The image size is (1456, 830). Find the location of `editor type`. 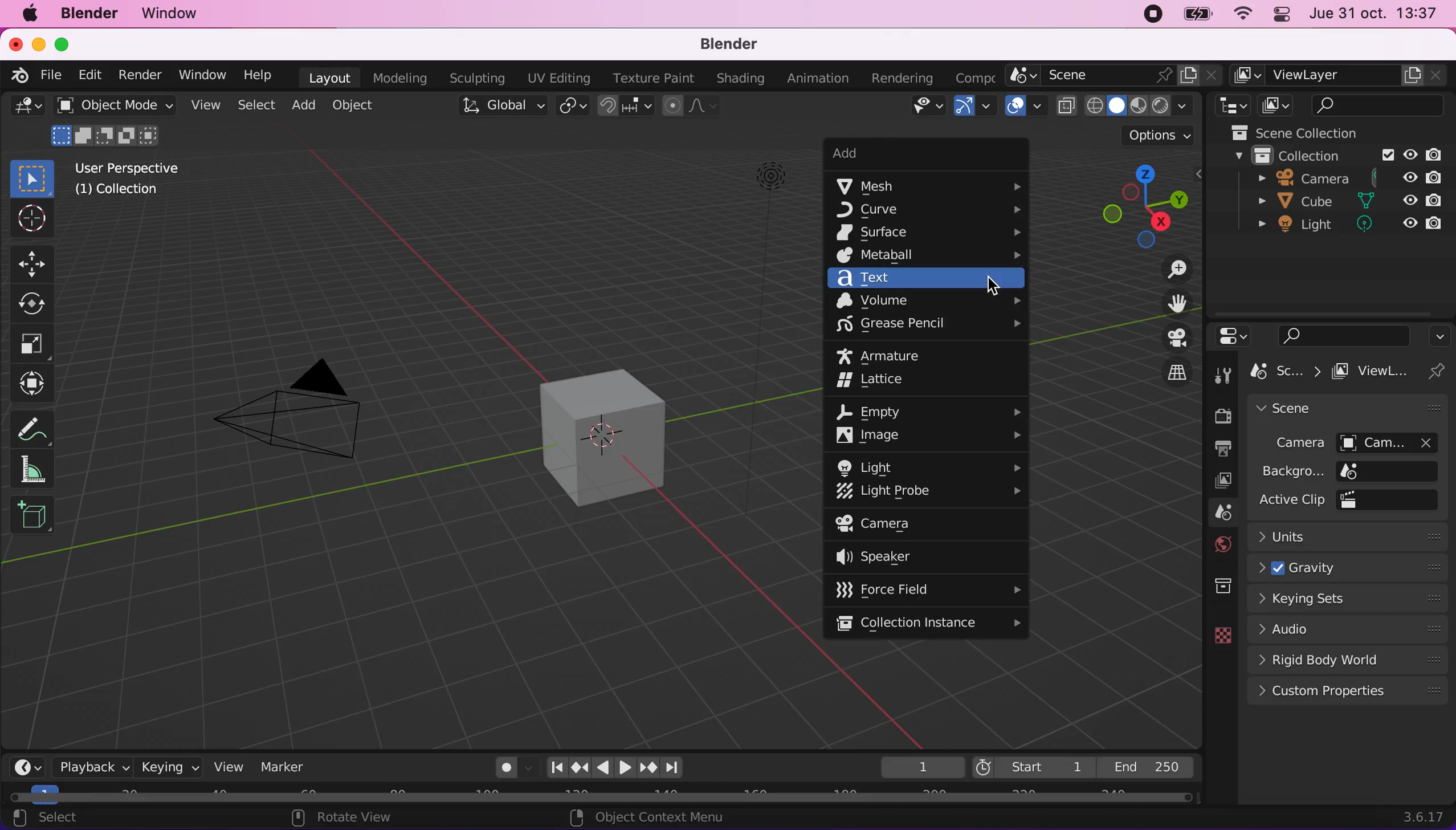

editor type is located at coordinates (26, 764).